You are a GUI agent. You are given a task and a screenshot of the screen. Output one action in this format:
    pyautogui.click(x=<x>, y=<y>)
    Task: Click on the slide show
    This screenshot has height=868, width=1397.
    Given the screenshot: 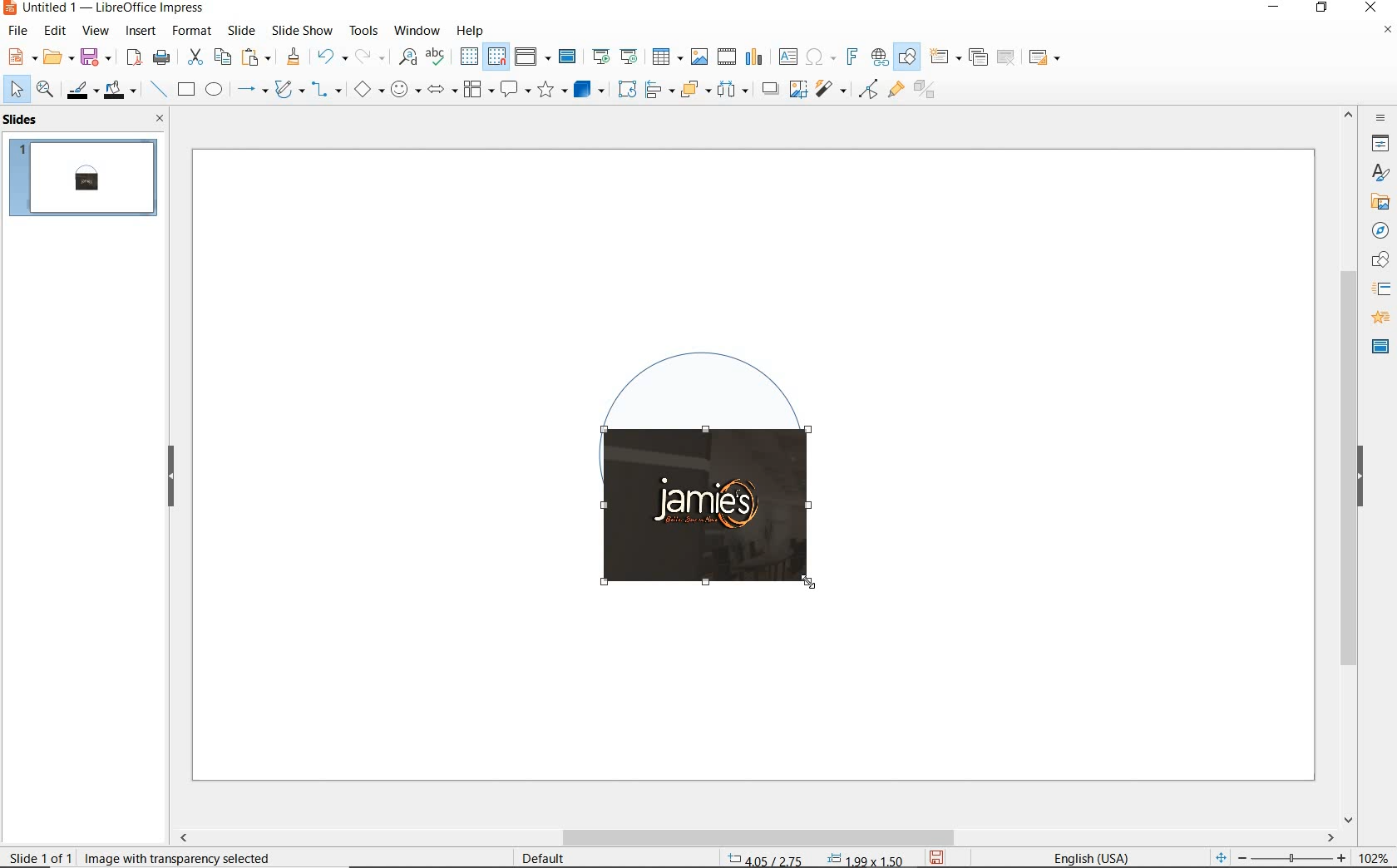 What is the action you would take?
    pyautogui.click(x=301, y=30)
    